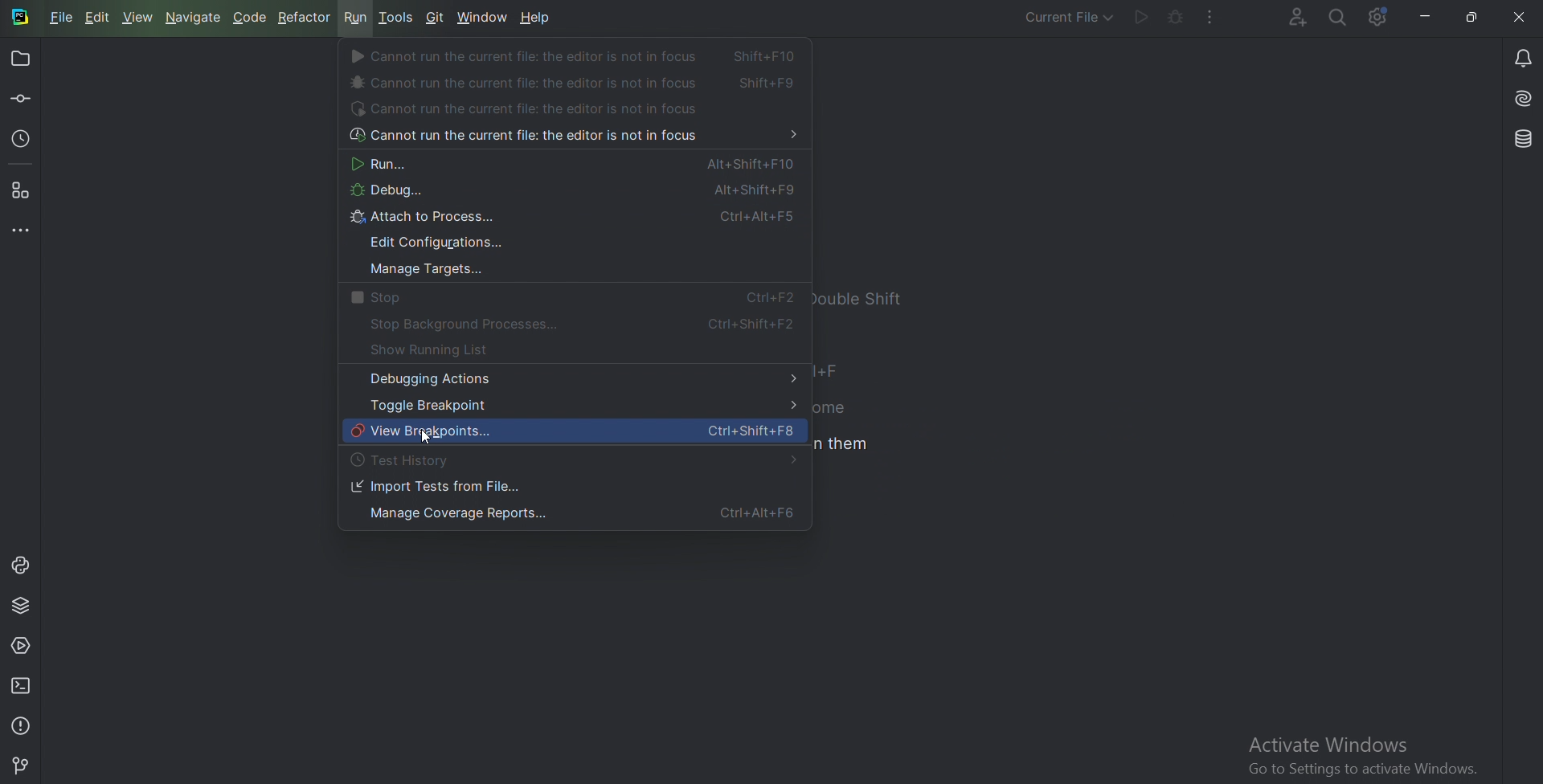  What do you see at coordinates (141, 18) in the screenshot?
I see `view` at bounding box center [141, 18].